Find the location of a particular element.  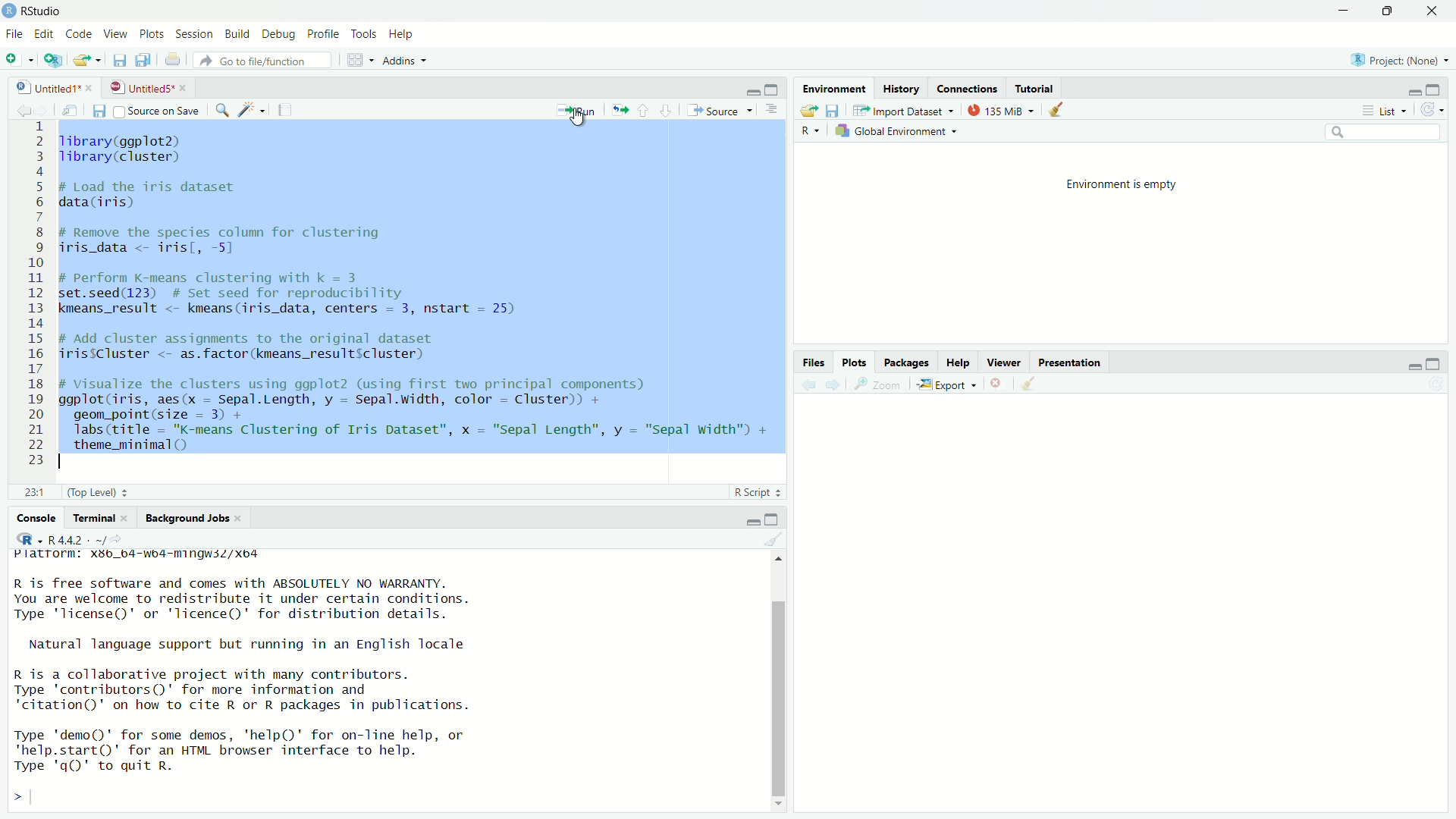

maximize is located at coordinates (1442, 362).